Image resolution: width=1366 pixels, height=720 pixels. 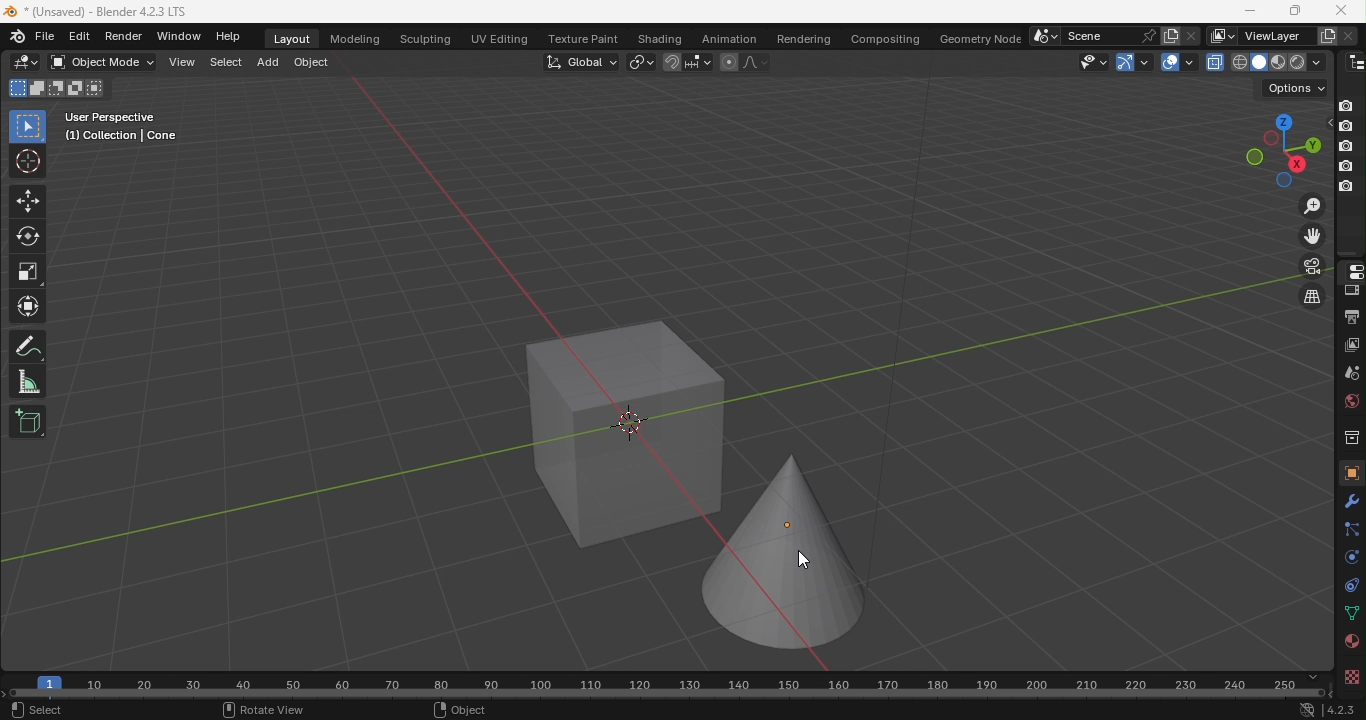 What do you see at coordinates (1147, 35) in the screenshot?
I see `Pin scene to workspace` at bounding box center [1147, 35].